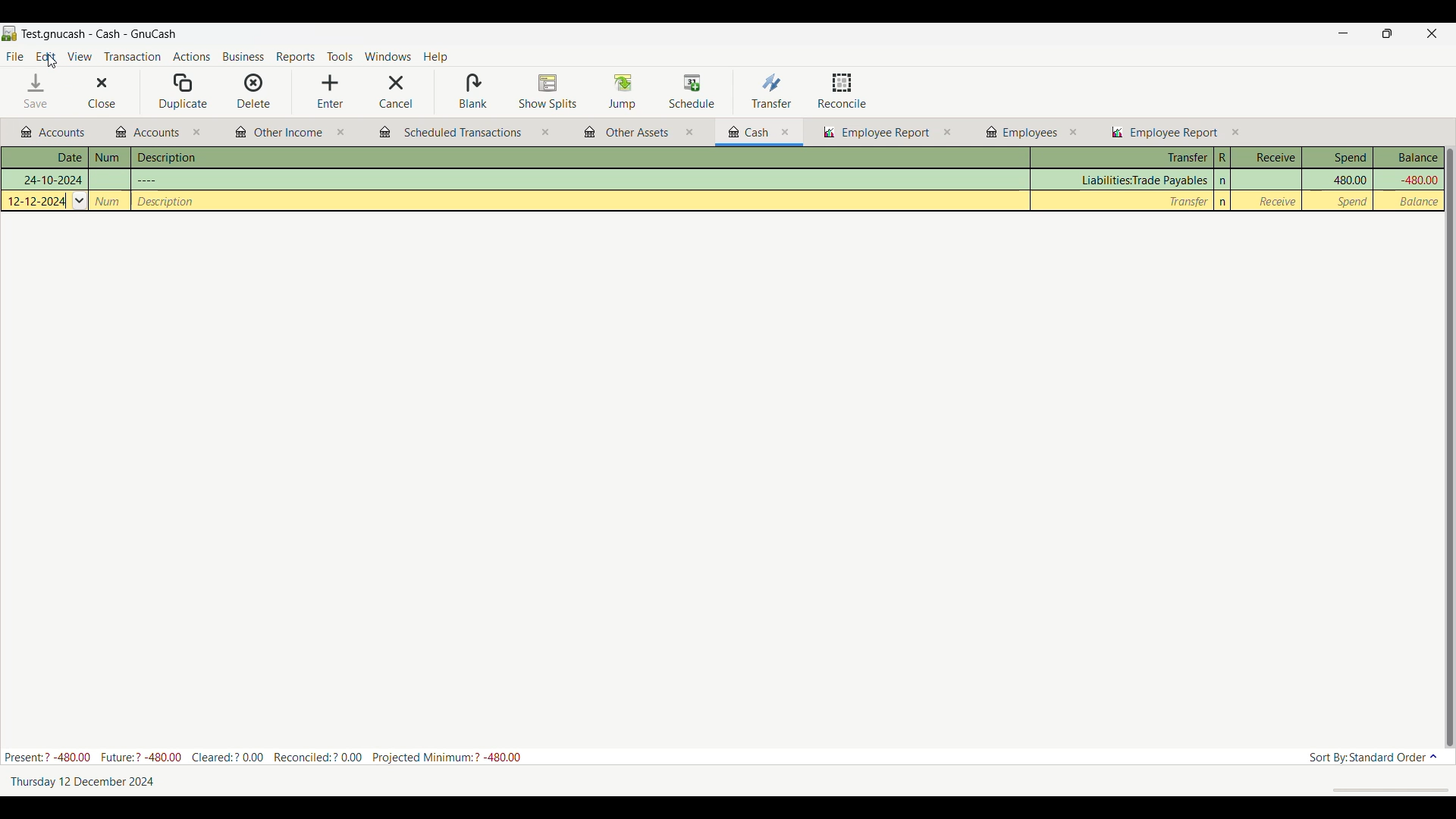 Image resolution: width=1456 pixels, height=819 pixels. What do you see at coordinates (1164, 133) in the screenshot?
I see `Other budgets and reports` at bounding box center [1164, 133].